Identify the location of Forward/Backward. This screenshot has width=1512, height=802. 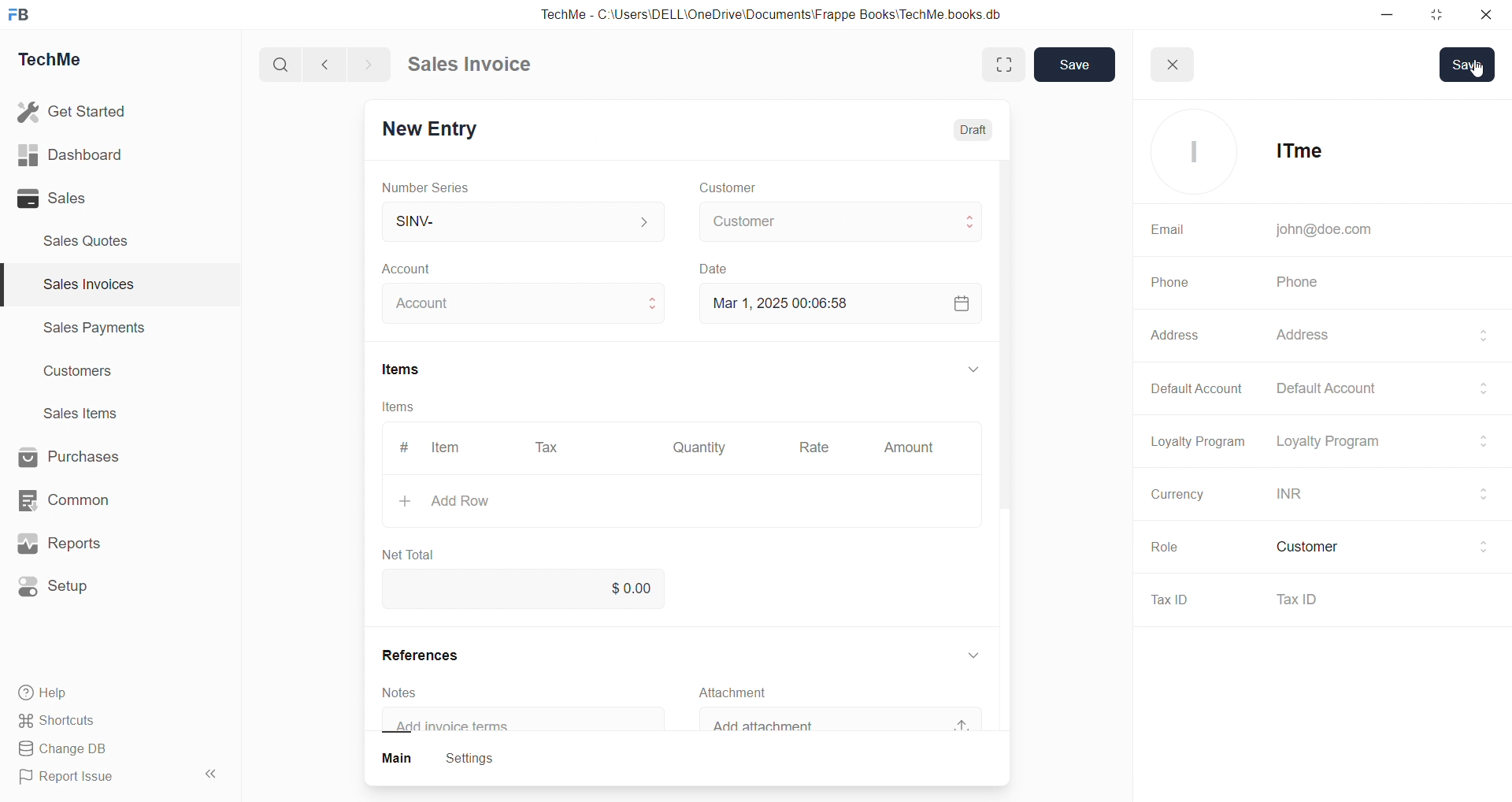
(348, 63).